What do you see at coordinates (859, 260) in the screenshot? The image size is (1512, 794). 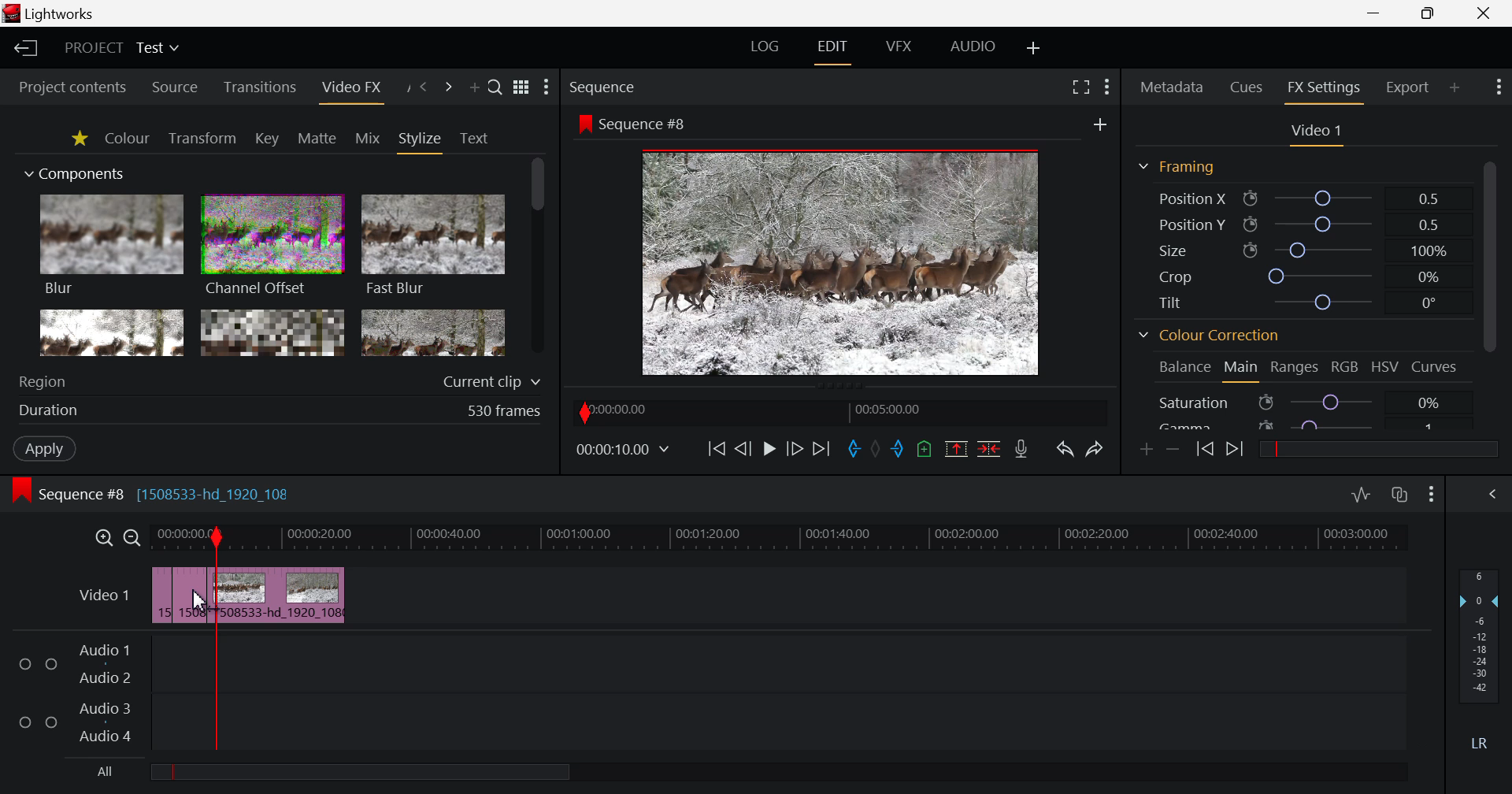 I see `Preview at Stop` at bounding box center [859, 260].